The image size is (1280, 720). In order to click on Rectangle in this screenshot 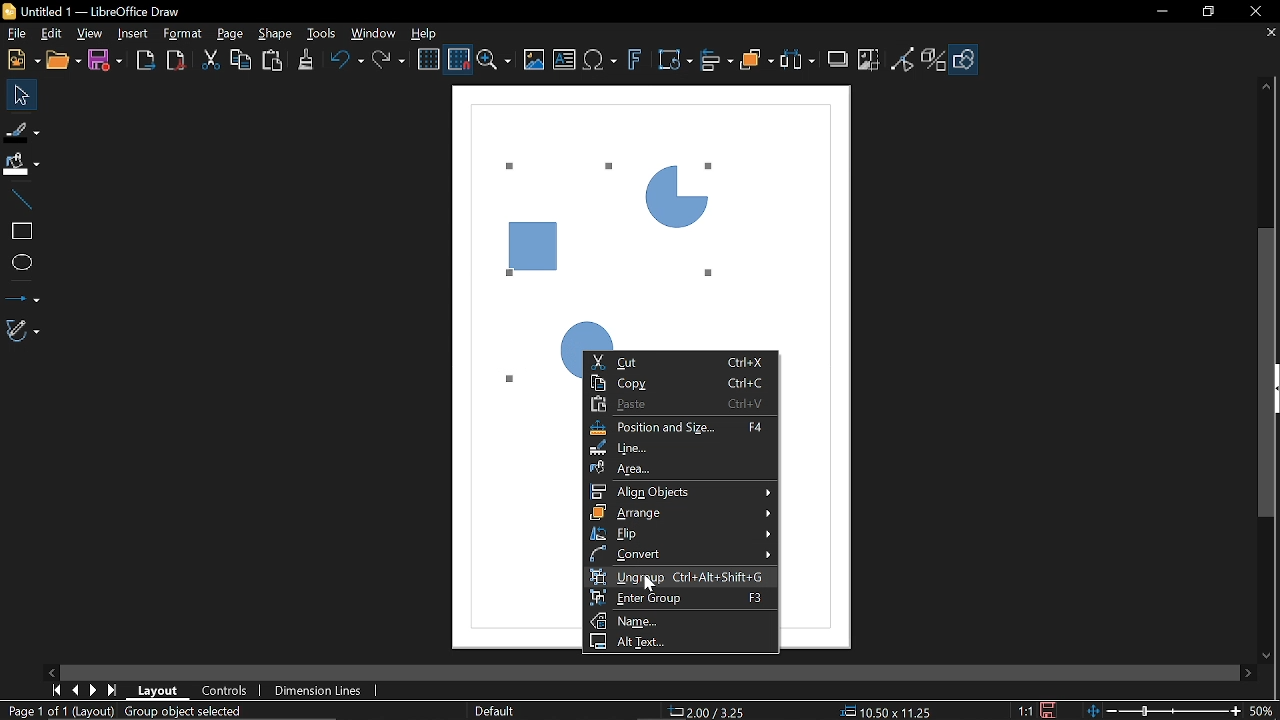, I will do `click(20, 229)`.